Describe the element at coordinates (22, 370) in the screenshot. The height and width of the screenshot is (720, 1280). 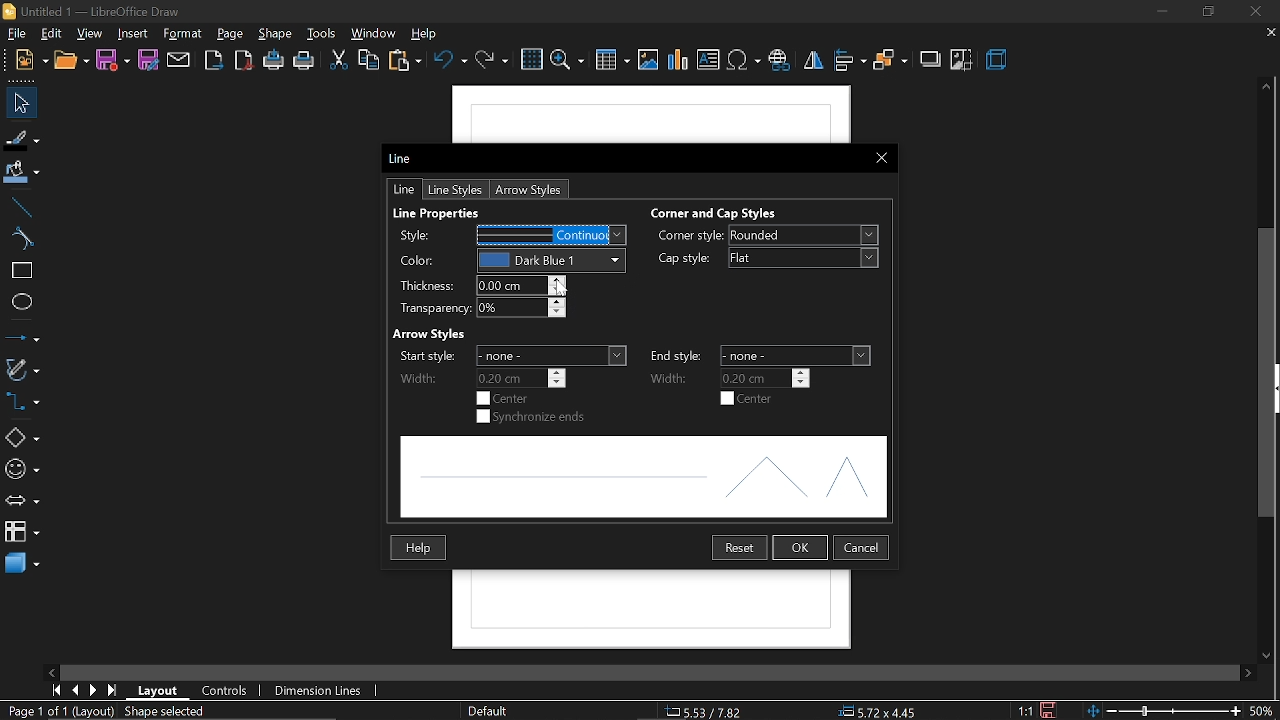
I see `curves and polygons` at that location.